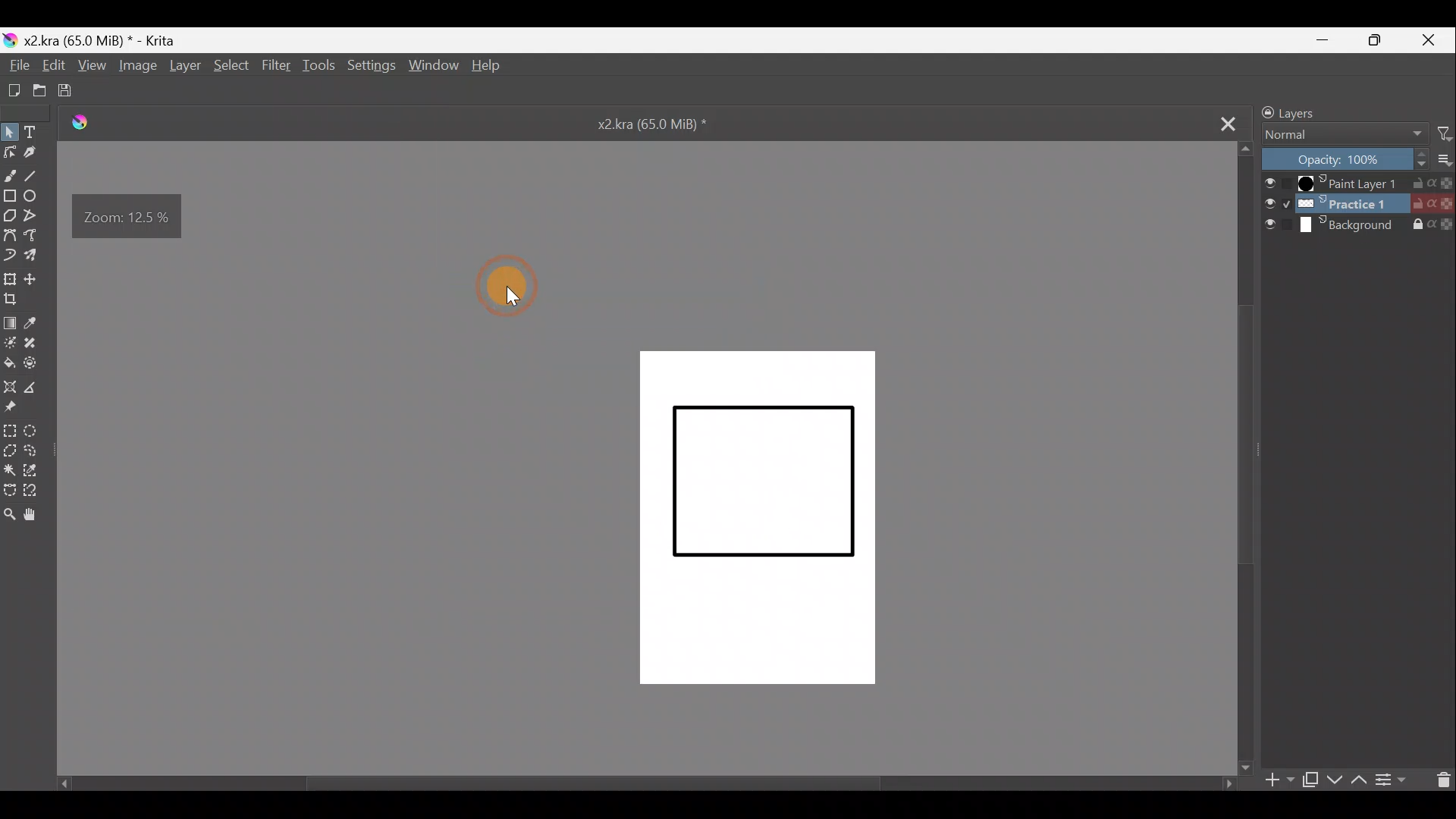 The width and height of the screenshot is (1456, 819). What do you see at coordinates (10, 194) in the screenshot?
I see `Rectangle tool` at bounding box center [10, 194].